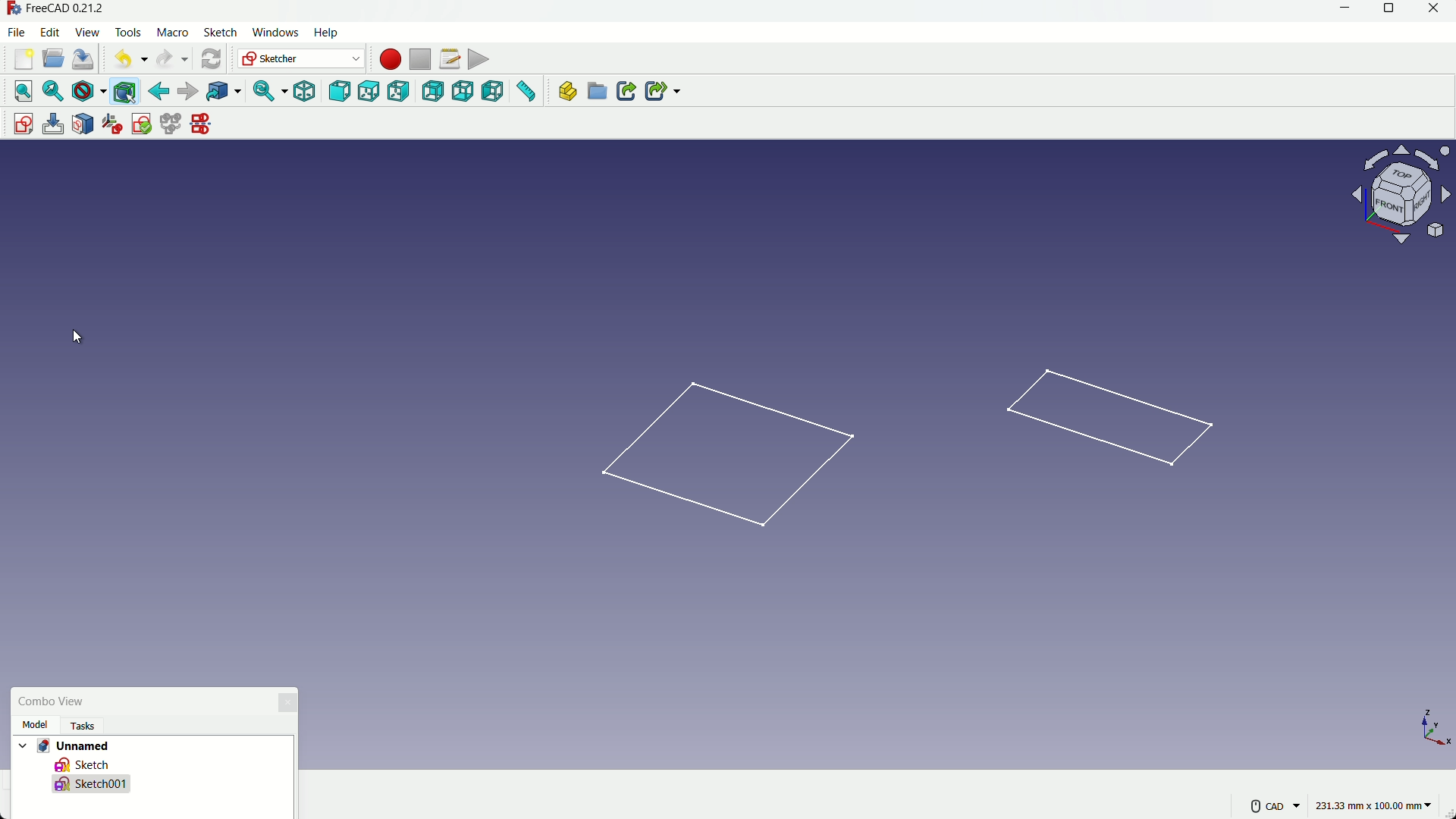 This screenshot has width=1456, height=819. I want to click on macro menu, so click(170, 33).